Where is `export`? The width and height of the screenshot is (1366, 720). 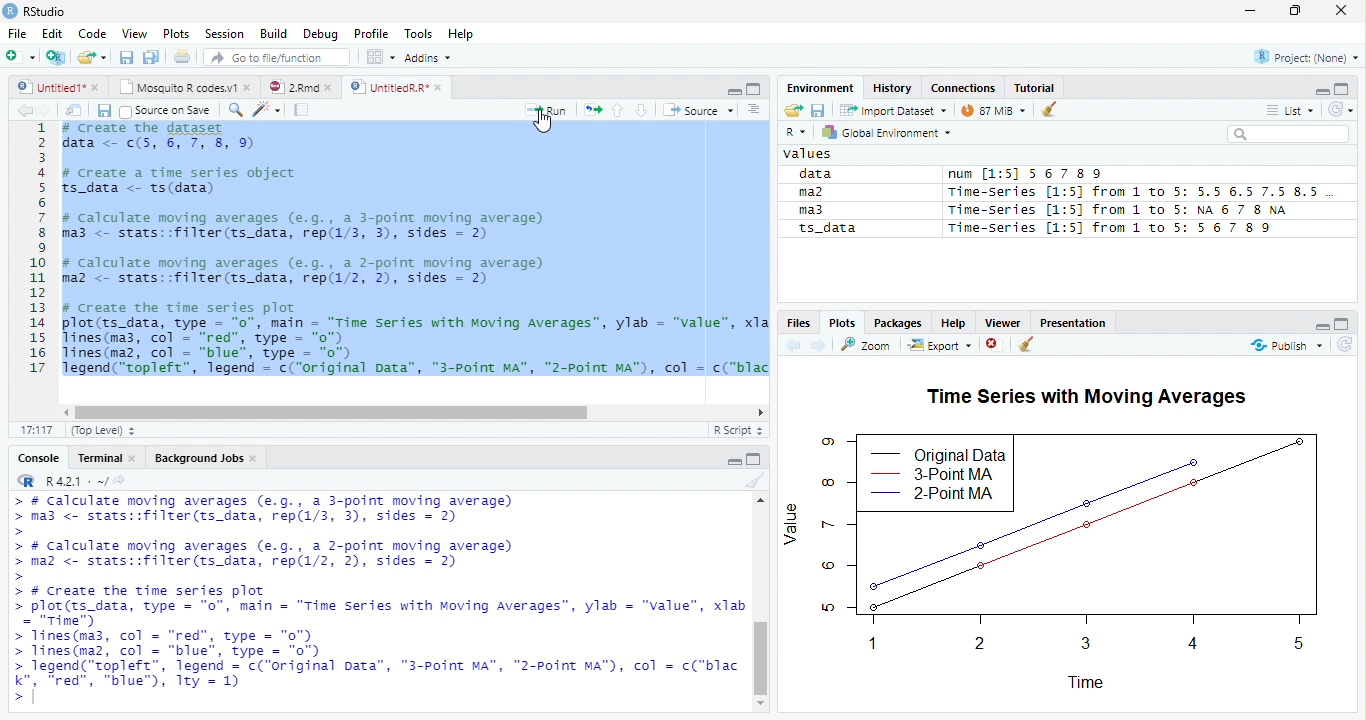 export is located at coordinates (939, 346).